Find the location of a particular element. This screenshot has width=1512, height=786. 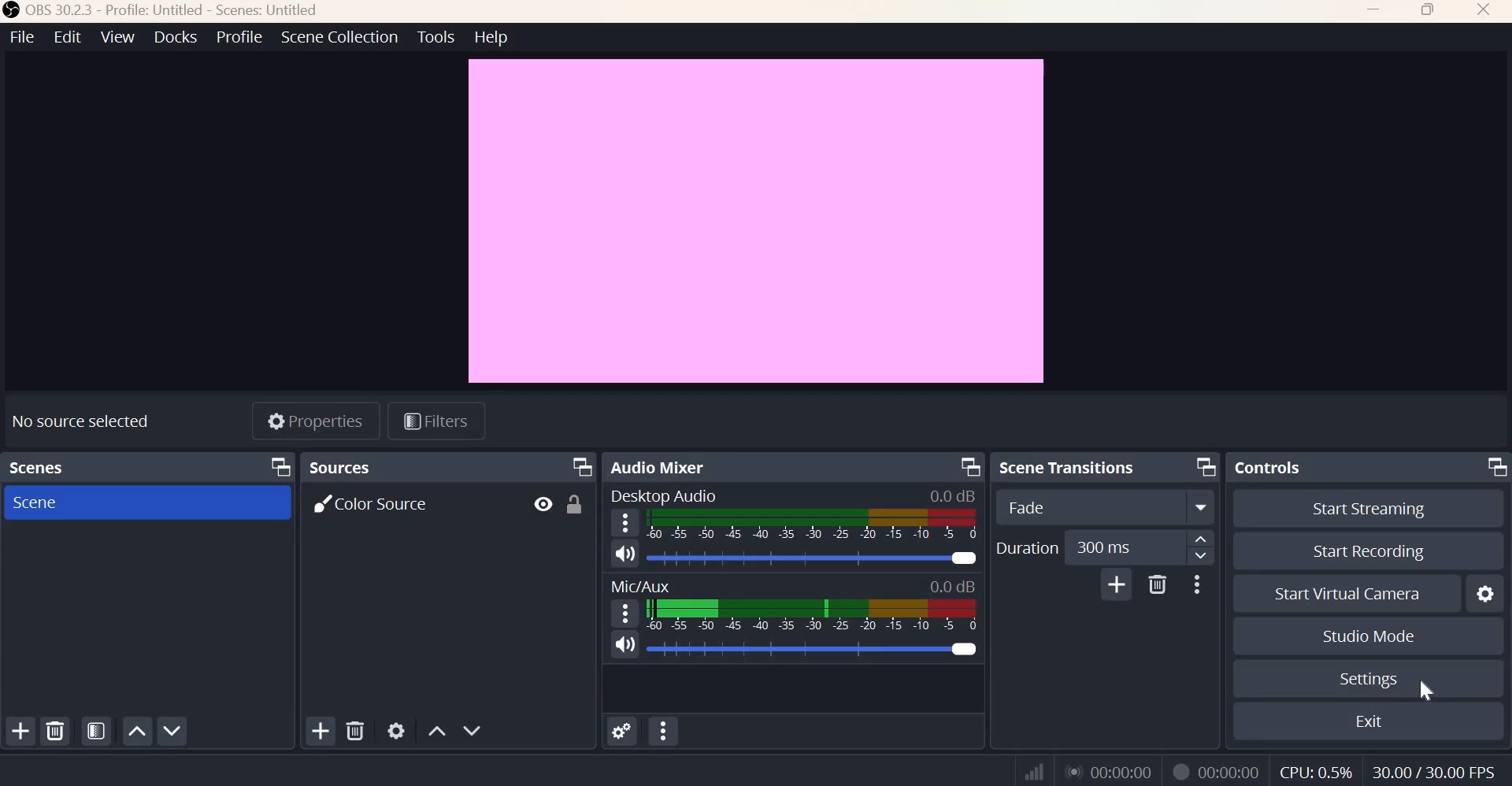

Audio Level Indicator is located at coordinates (952, 584).